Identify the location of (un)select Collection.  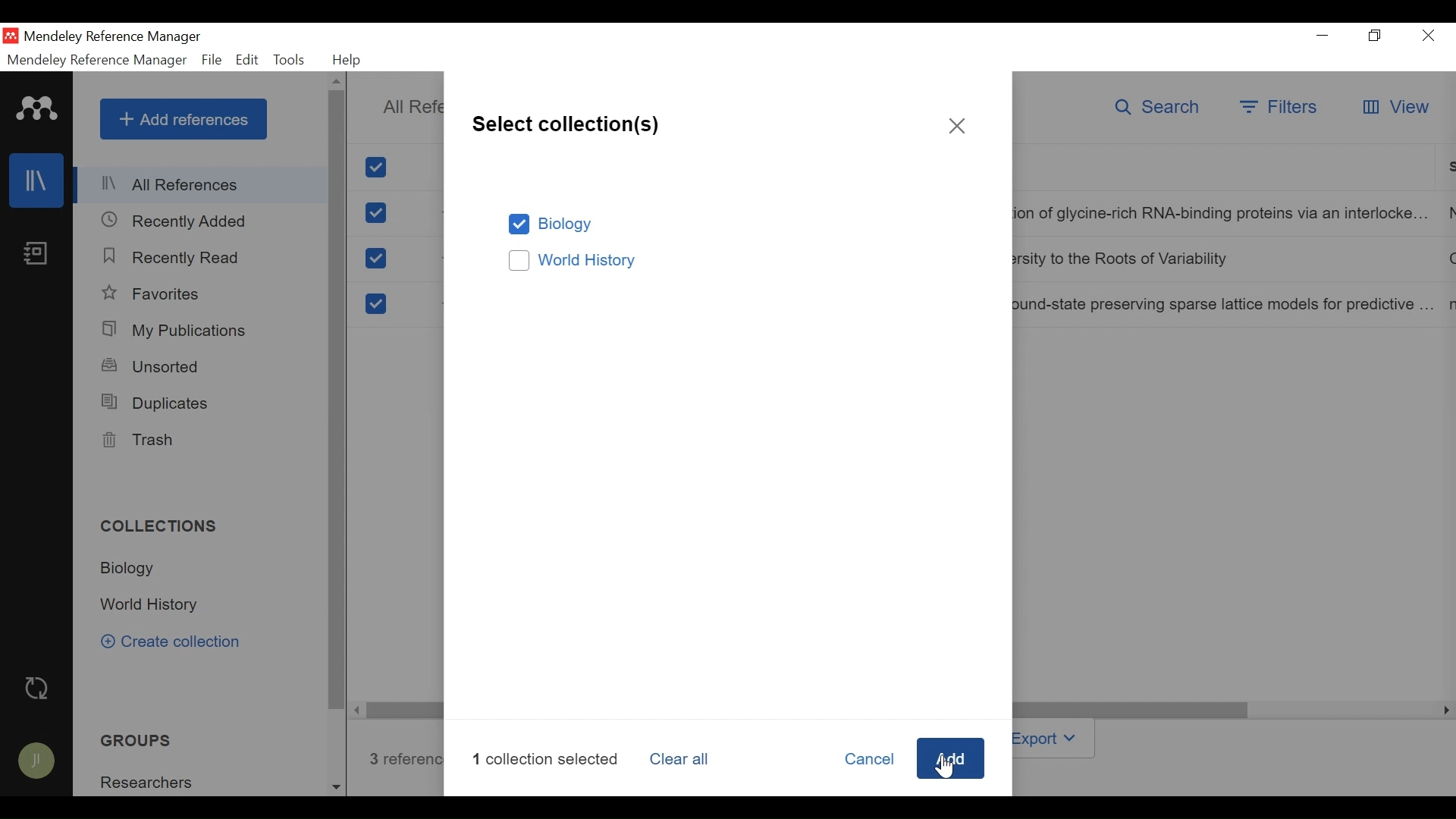
(731, 224).